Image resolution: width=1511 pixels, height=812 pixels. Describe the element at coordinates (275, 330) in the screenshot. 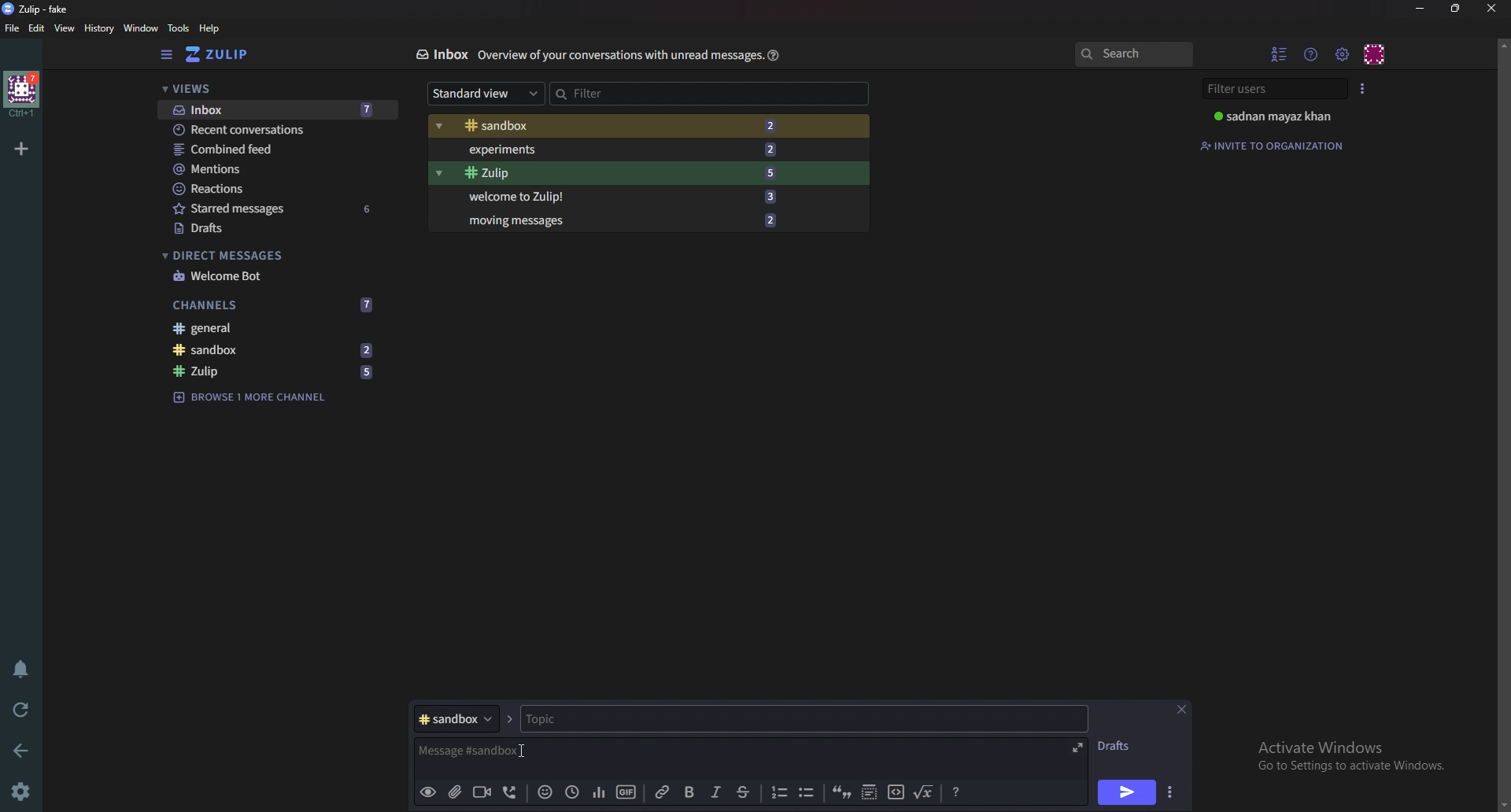

I see `General` at that location.